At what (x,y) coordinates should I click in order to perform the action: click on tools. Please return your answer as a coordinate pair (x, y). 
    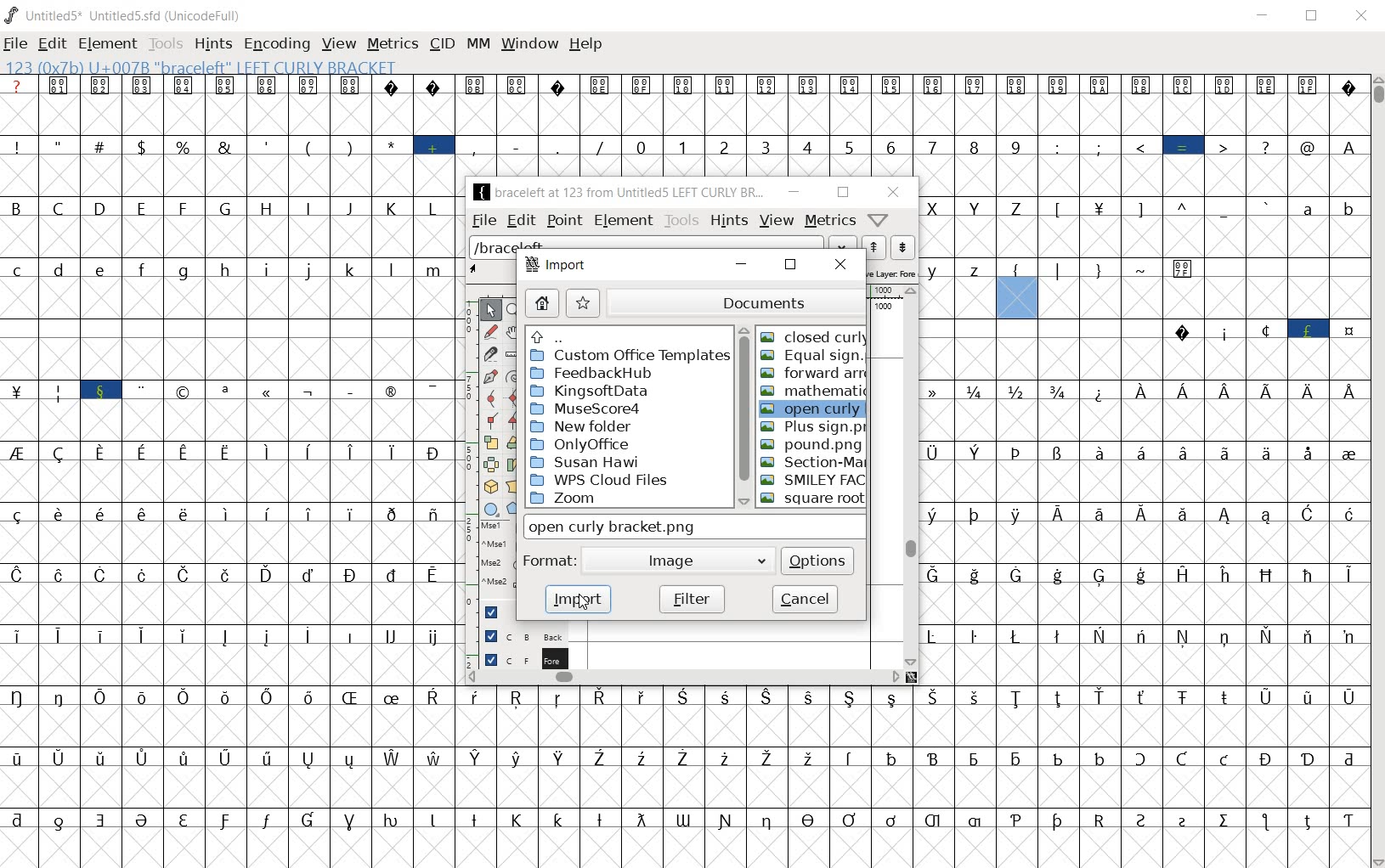
    Looking at the image, I should click on (681, 220).